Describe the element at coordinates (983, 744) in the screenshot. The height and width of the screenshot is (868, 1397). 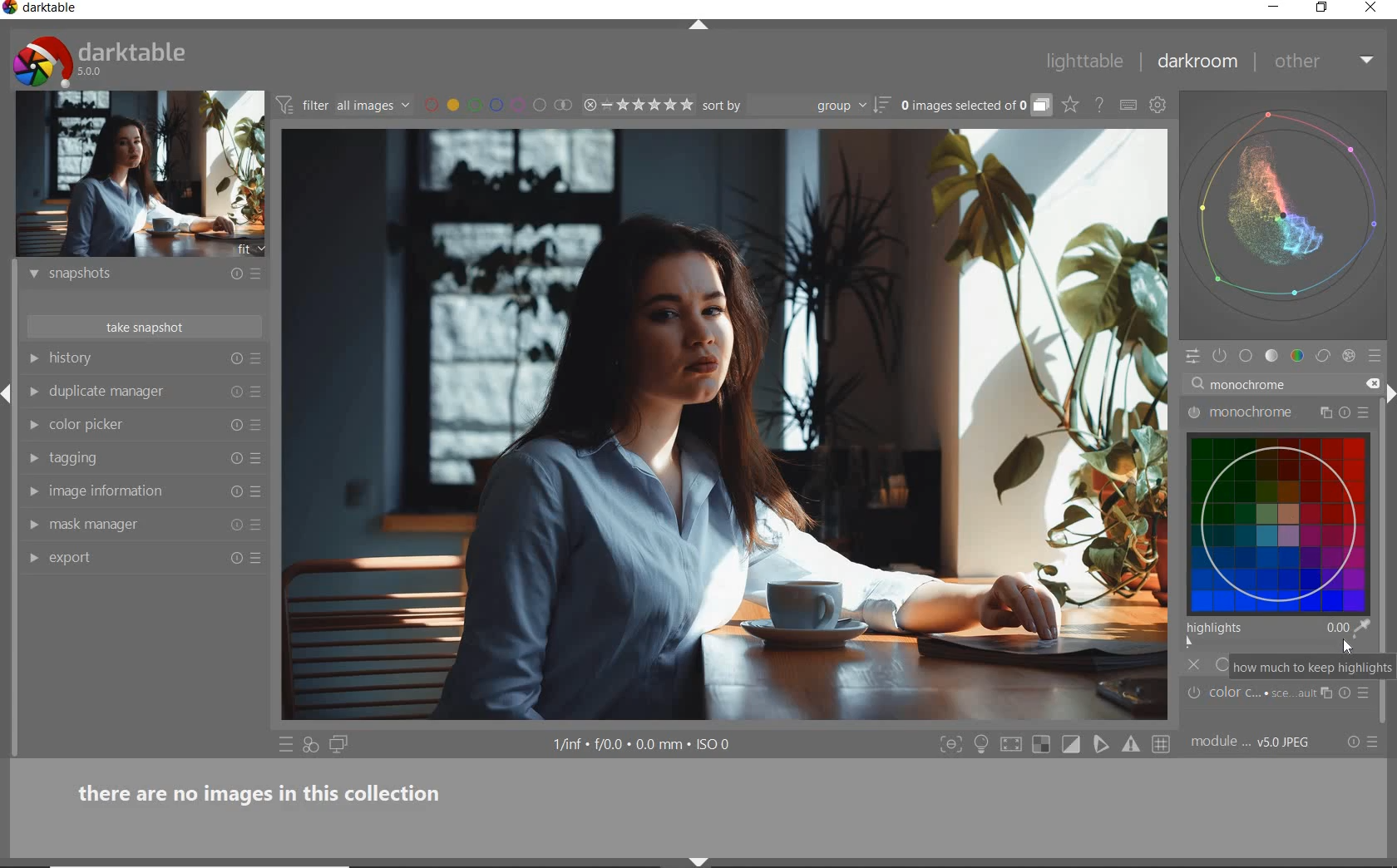
I see `ctrl+b` at that location.